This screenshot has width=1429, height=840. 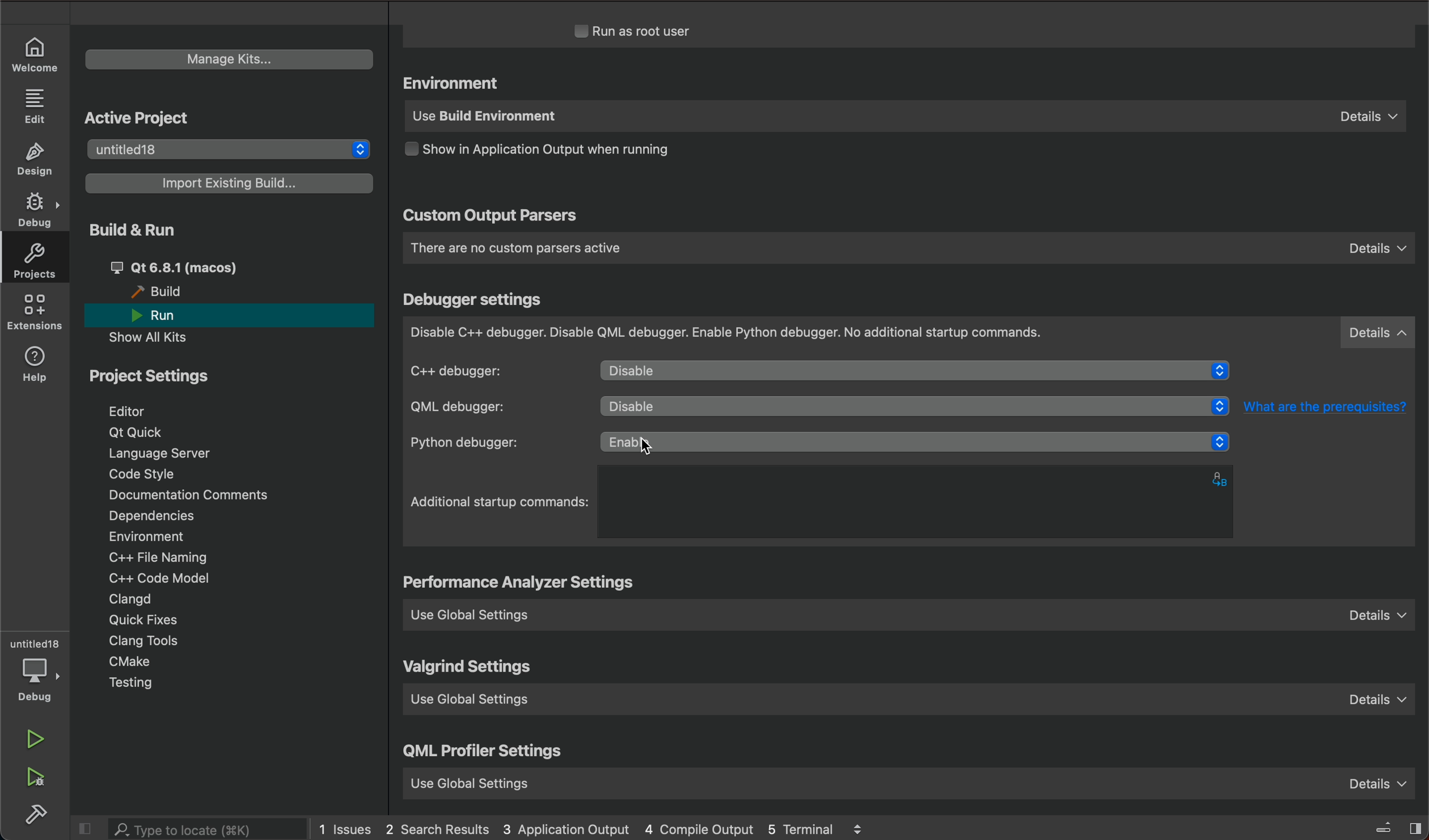 I want to click on use global setting , so click(x=913, y=703).